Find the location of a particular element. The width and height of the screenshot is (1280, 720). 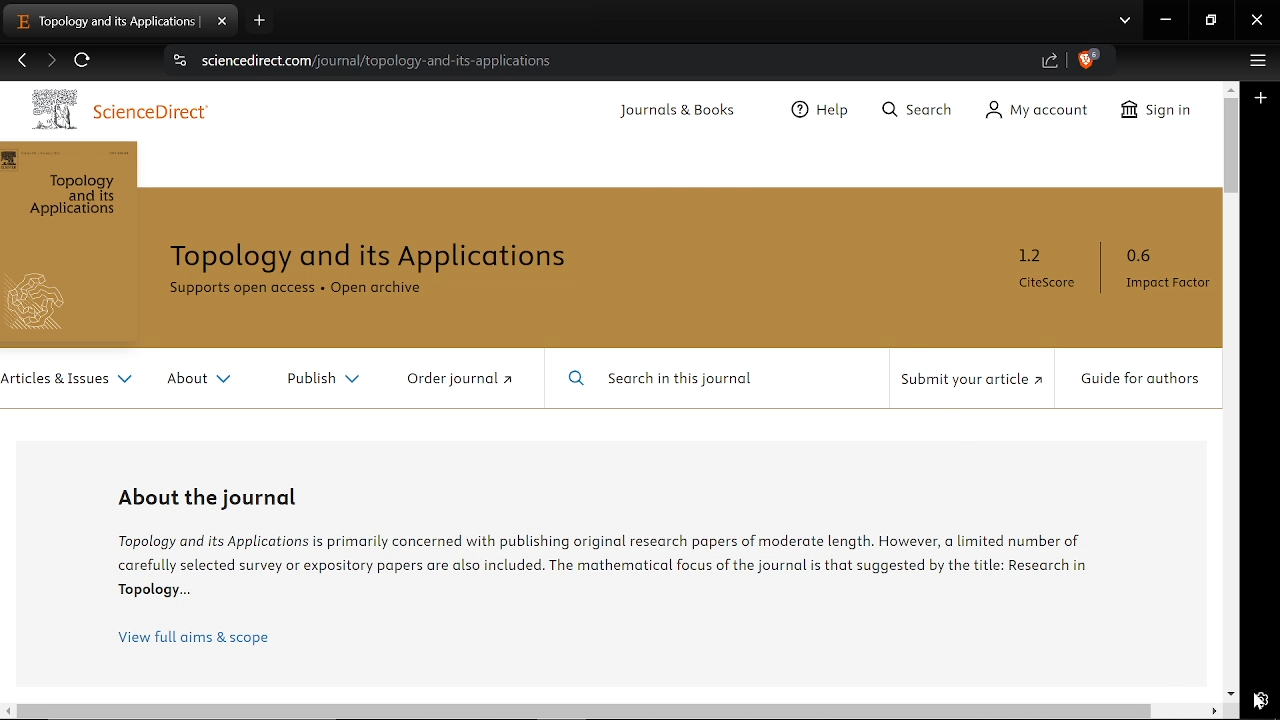

Journals and Books is located at coordinates (670, 111).